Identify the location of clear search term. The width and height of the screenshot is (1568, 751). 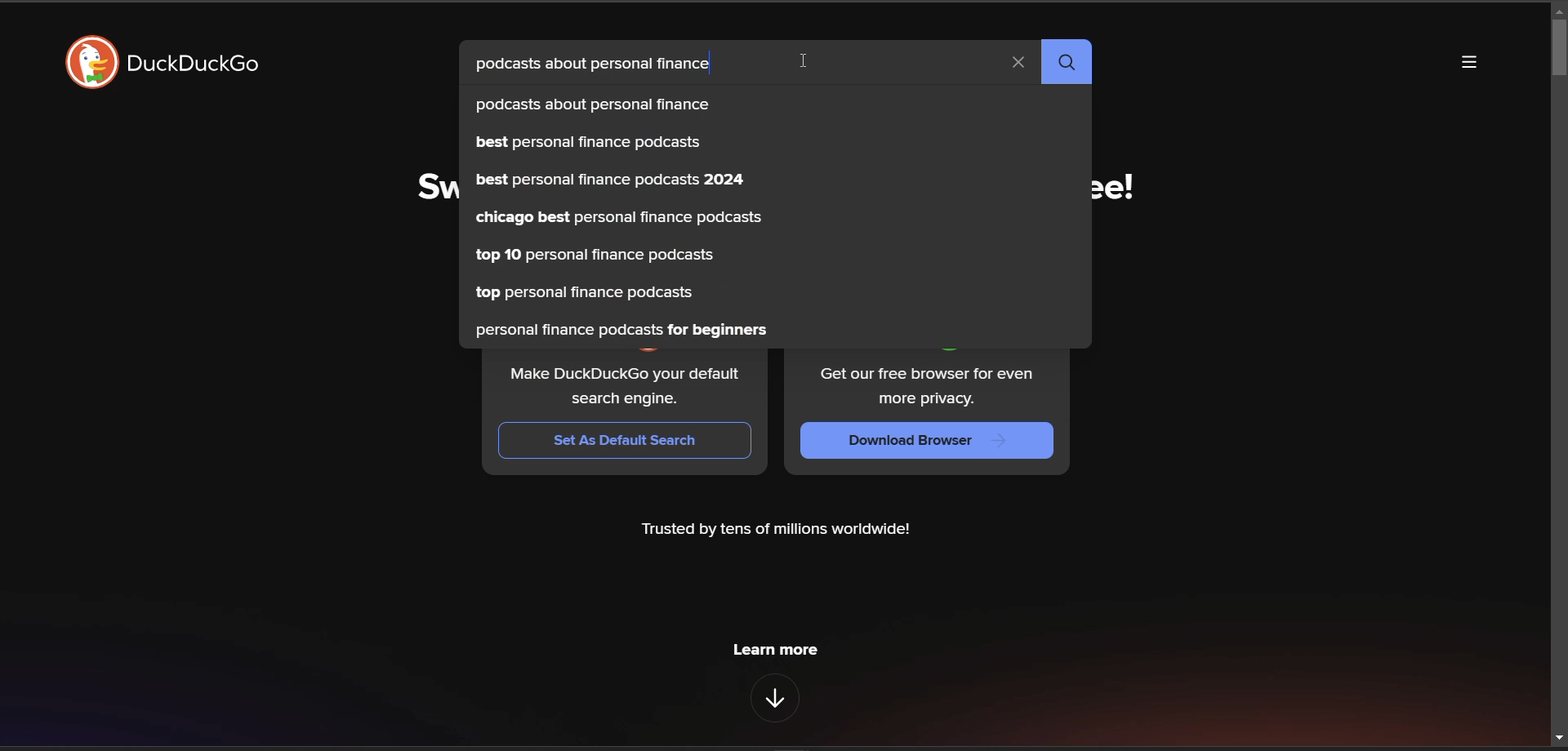
(1018, 66).